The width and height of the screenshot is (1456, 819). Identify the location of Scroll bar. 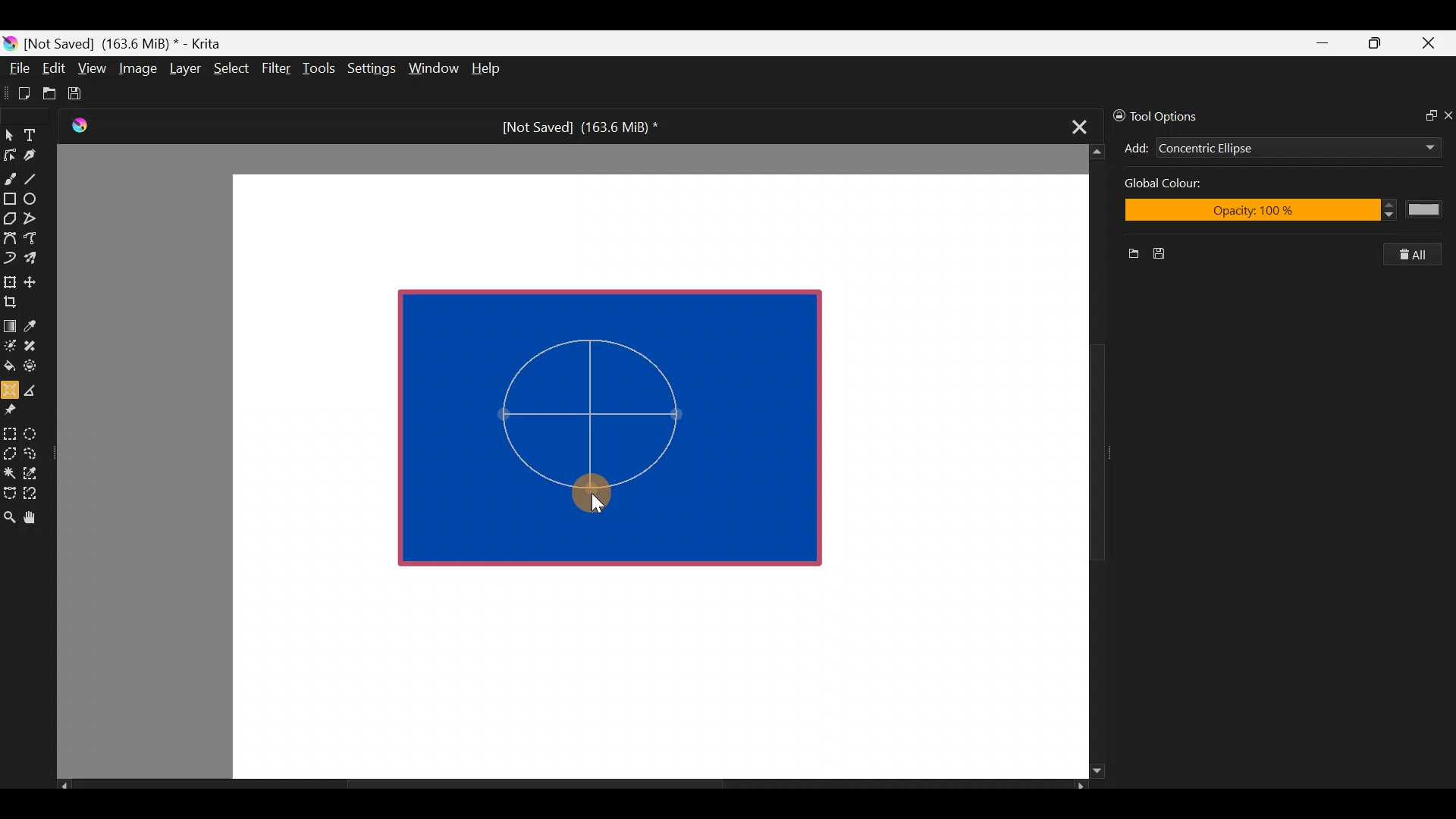
(1086, 462).